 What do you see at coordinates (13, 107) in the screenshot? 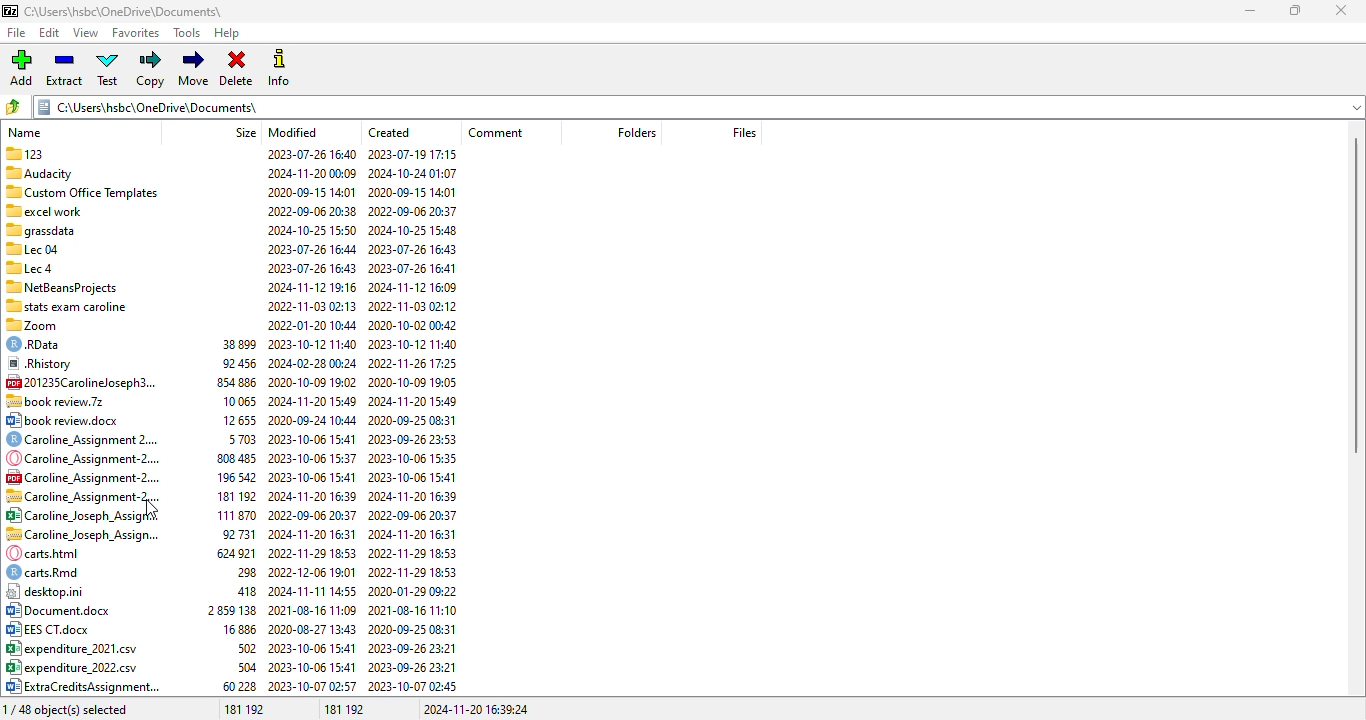
I see `browse folders` at bounding box center [13, 107].